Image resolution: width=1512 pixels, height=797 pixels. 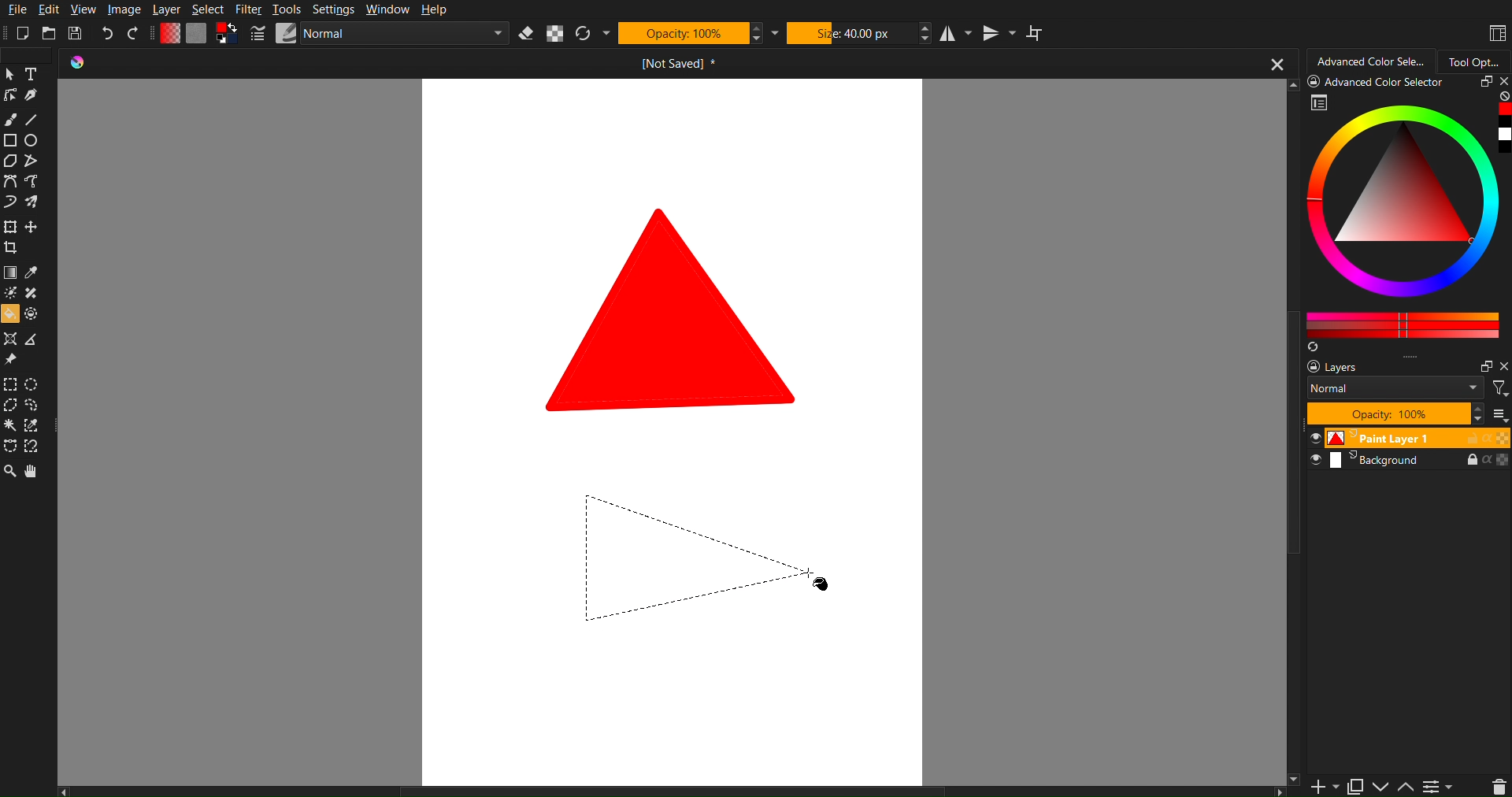 I want to click on Color Settings, so click(x=198, y=34).